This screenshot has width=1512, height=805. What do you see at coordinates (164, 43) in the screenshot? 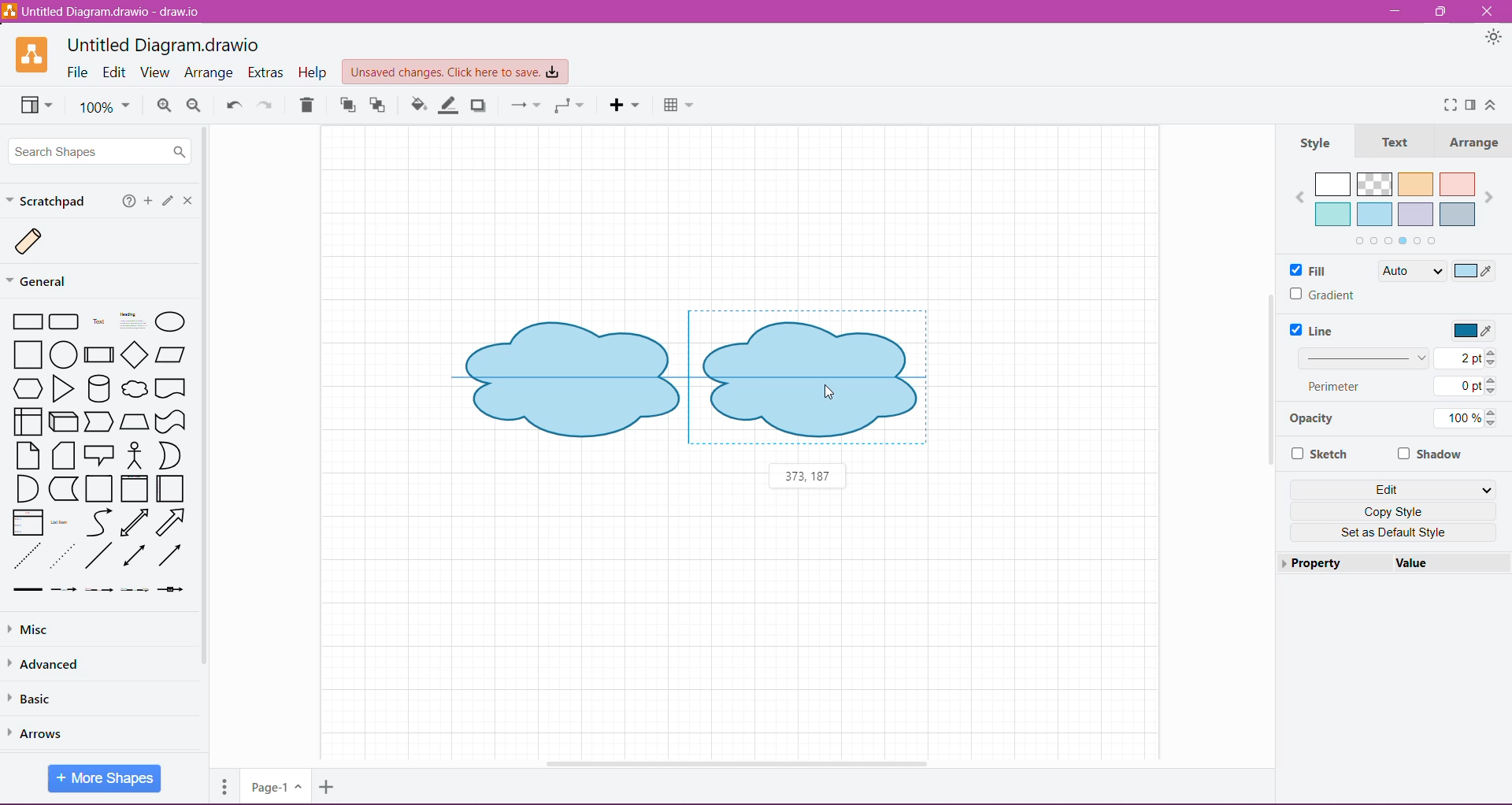
I see `Untitled Diagram.draw.io` at bounding box center [164, 43].